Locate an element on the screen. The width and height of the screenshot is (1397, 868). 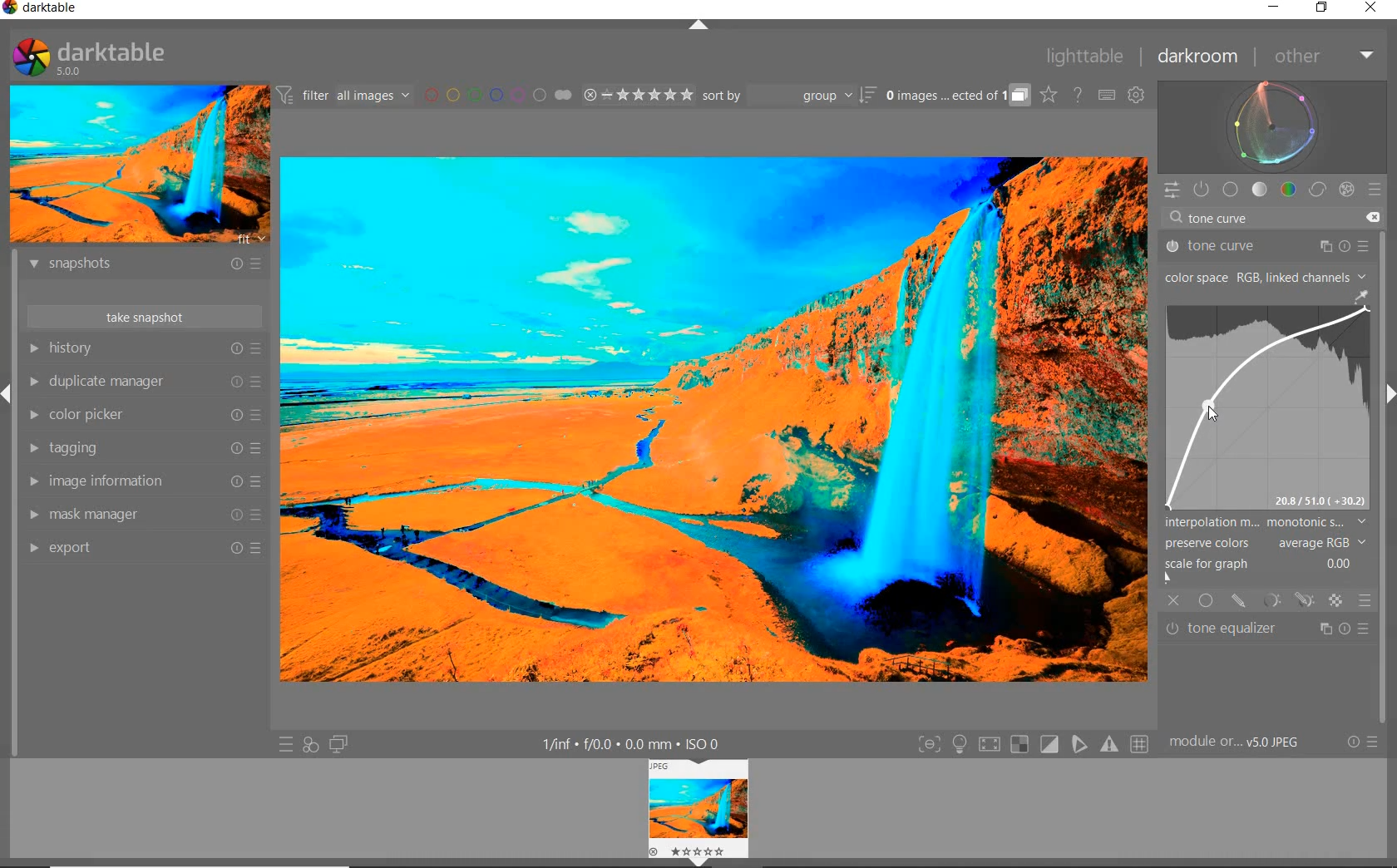
CLICK TO CHANGE THE OVERLAYS SHOWN ON THUMBNAILS is located at coordinates (1049, 95).